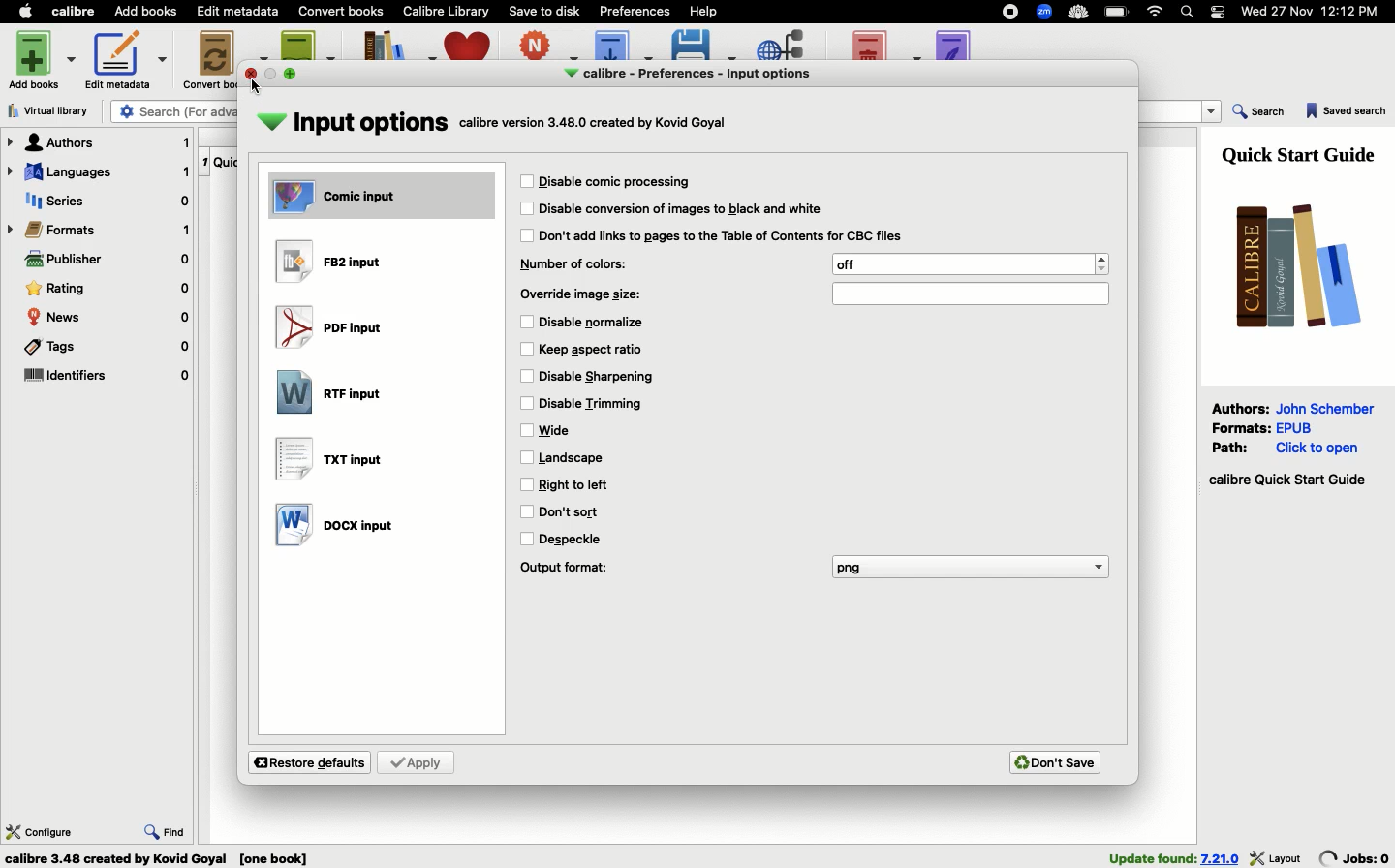 Image resolution: width=1395 pixels, height=868 pixels. What do you see at coordinates (1291, 264) in the screenshot?
I see `Logo` at bounding box center [1291, 264].